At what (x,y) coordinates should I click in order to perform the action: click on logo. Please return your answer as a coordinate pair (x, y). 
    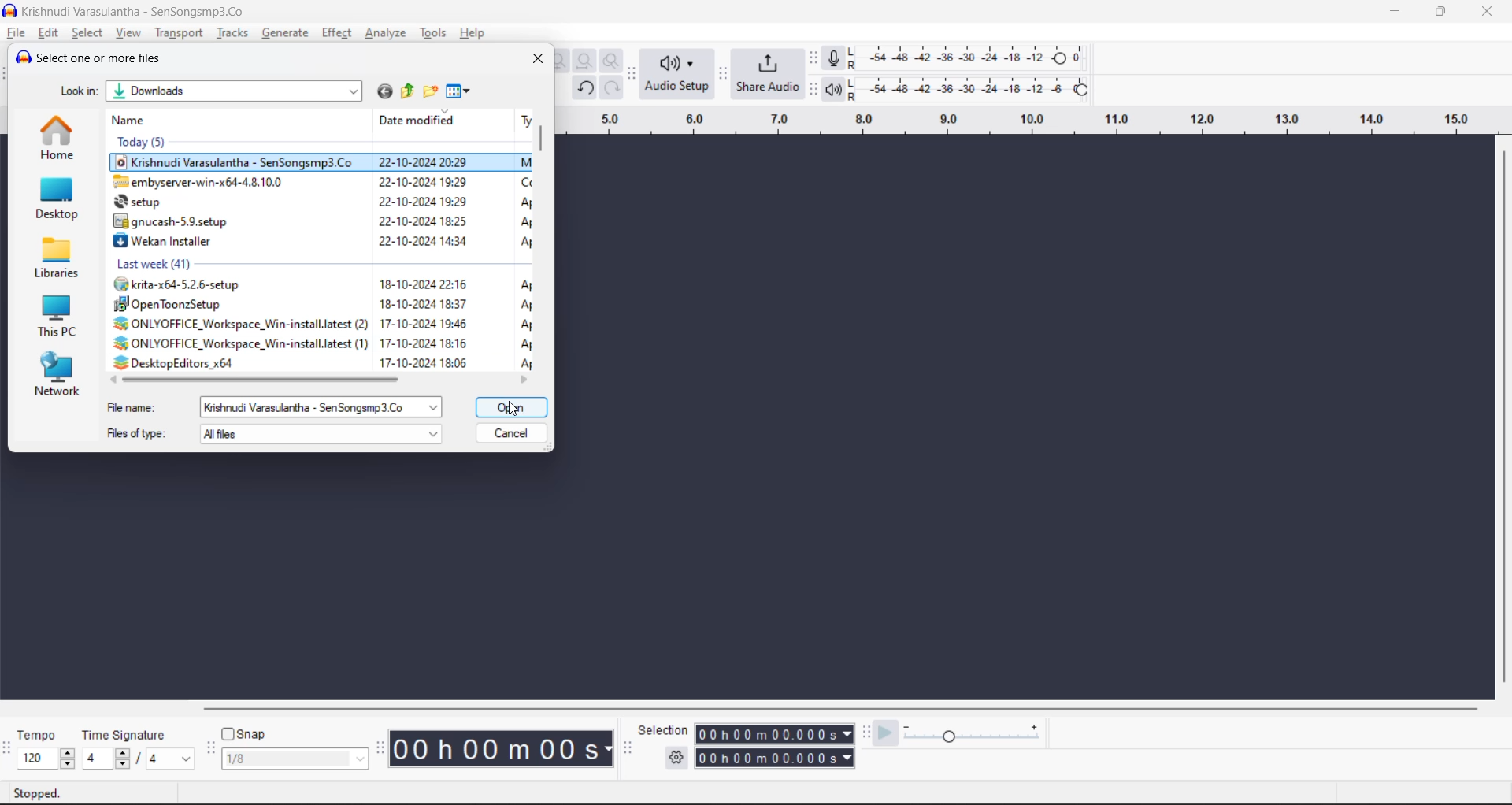
    Looking at the image, I should click on (9, 12).